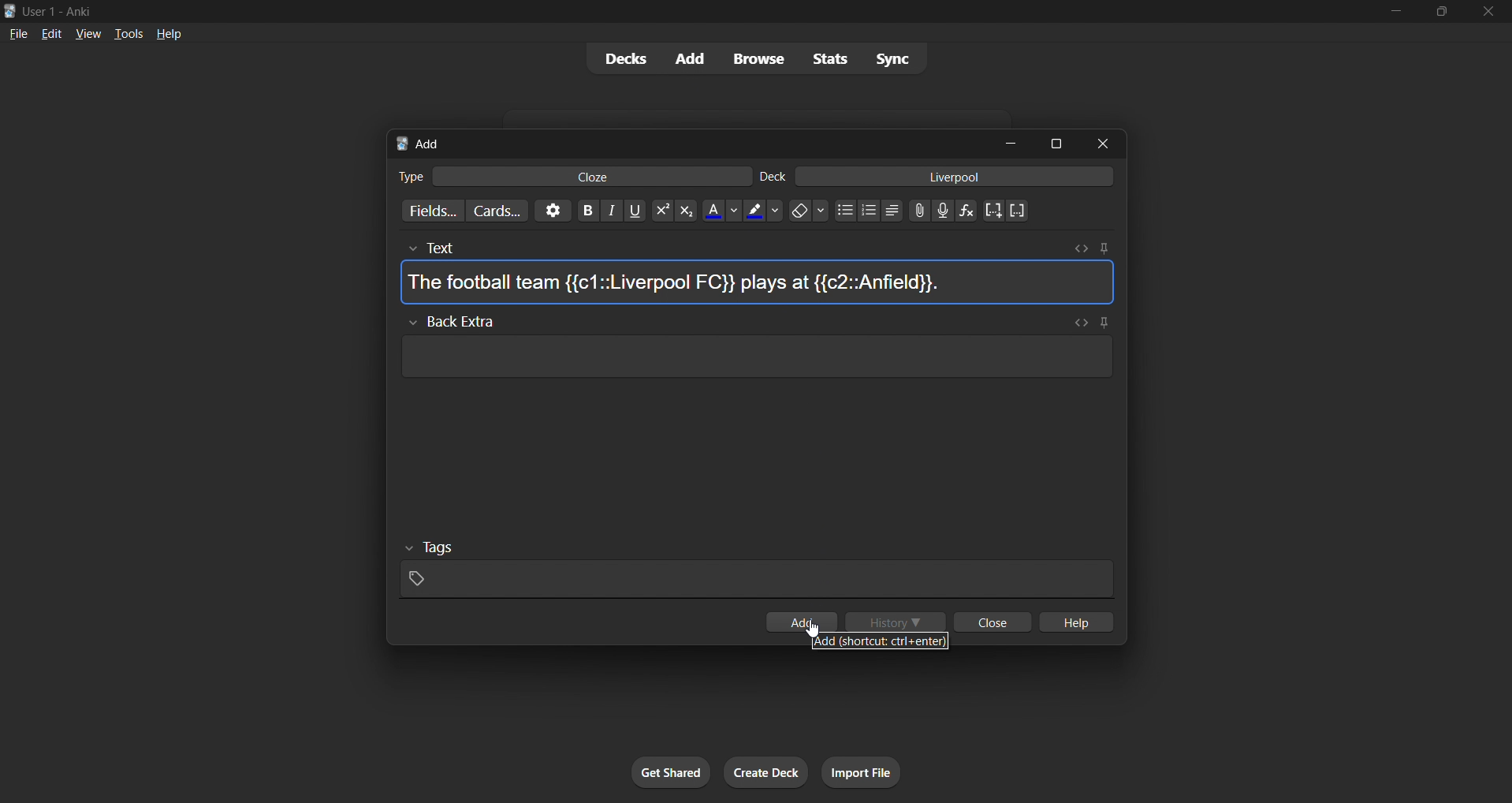 Image resolution: width=1512 pixels, height=803 pixels. I want to click on maximize/restore, so click(1441, 14).